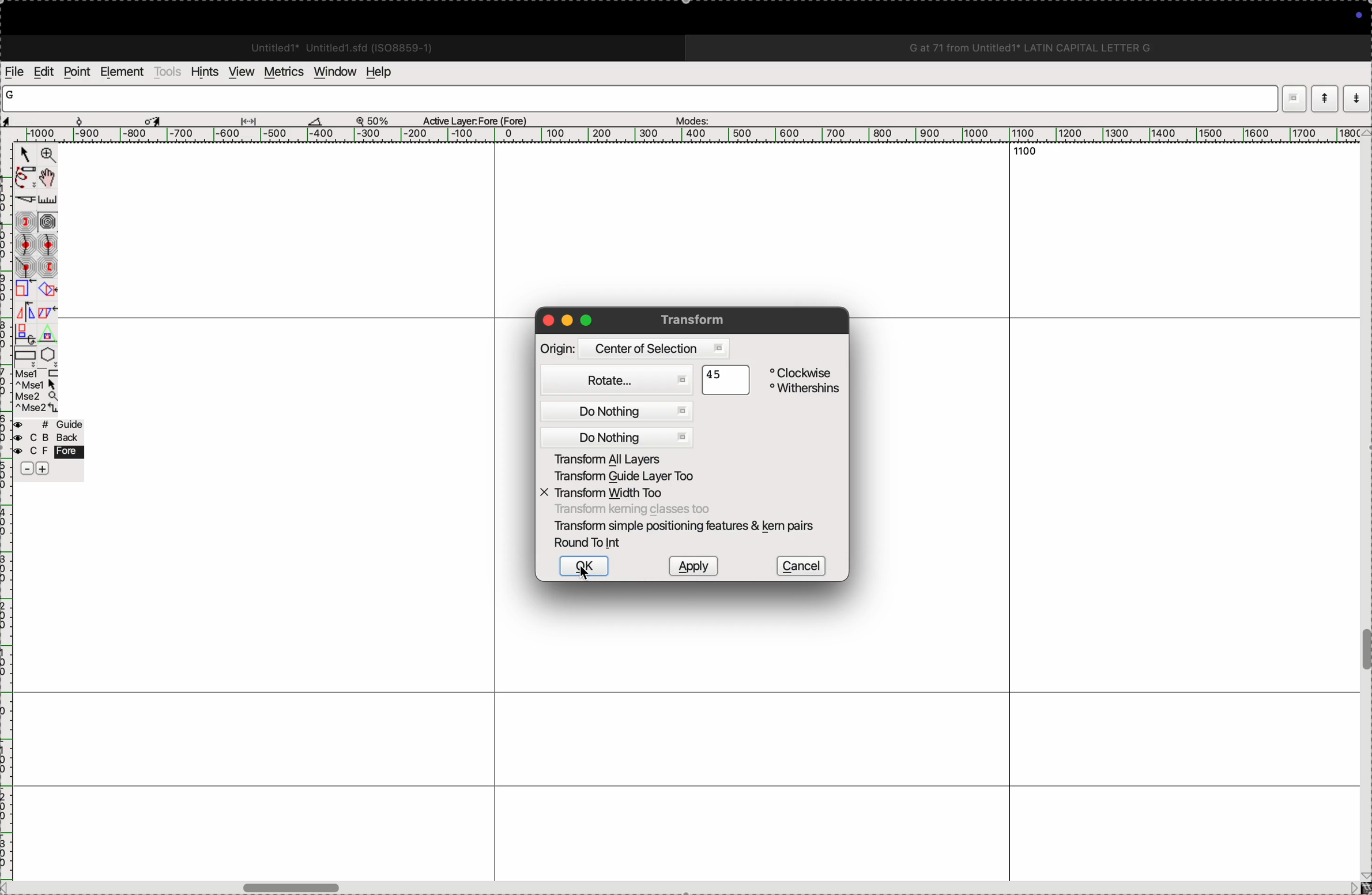 This screenshot has height=895, width=1372. What do you see at coordinates (25, 312) in the screenshot?
I see `flip` at bounding box center [25, 312].